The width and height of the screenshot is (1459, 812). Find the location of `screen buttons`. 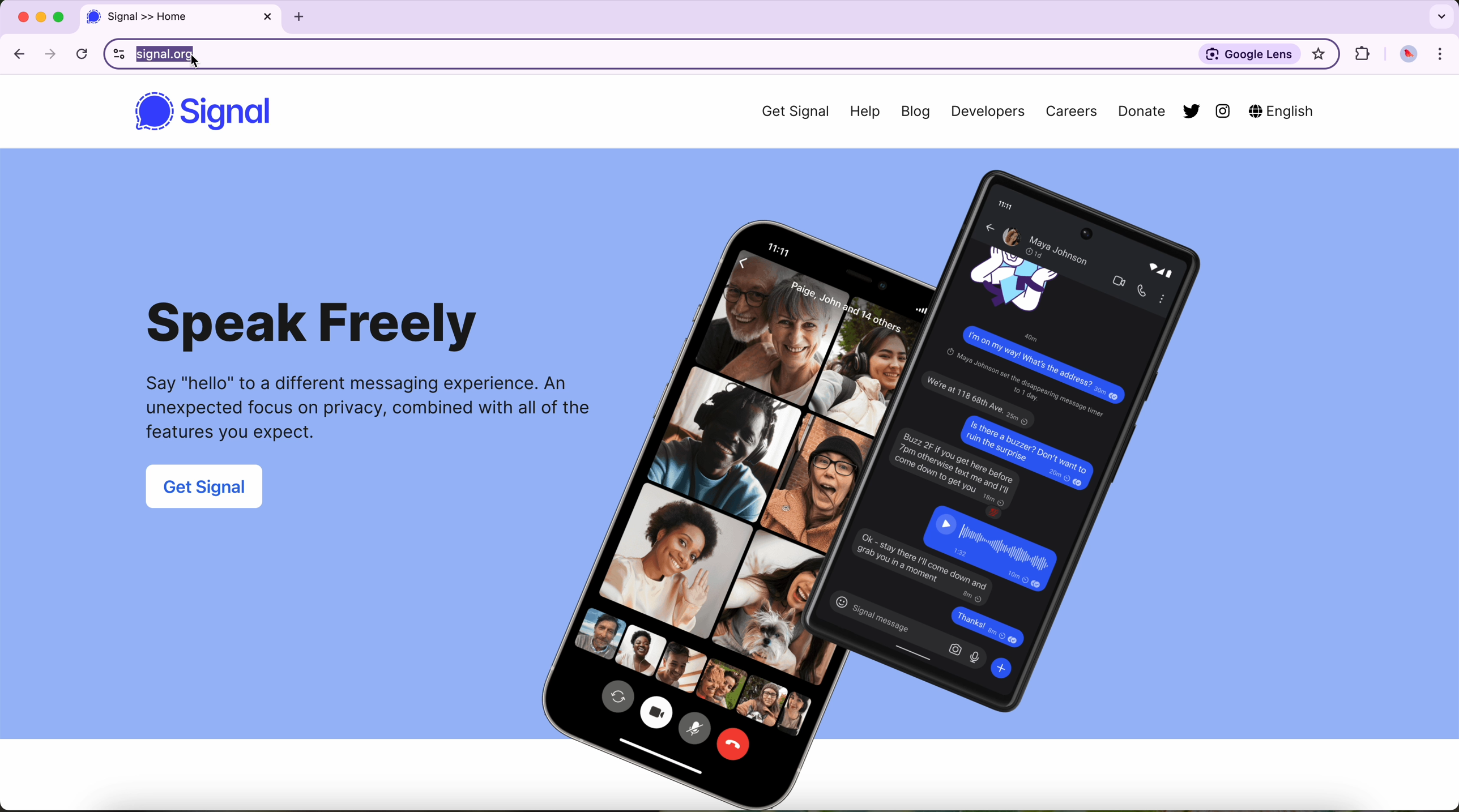

screen buttons is located at coordinates (39, 18).